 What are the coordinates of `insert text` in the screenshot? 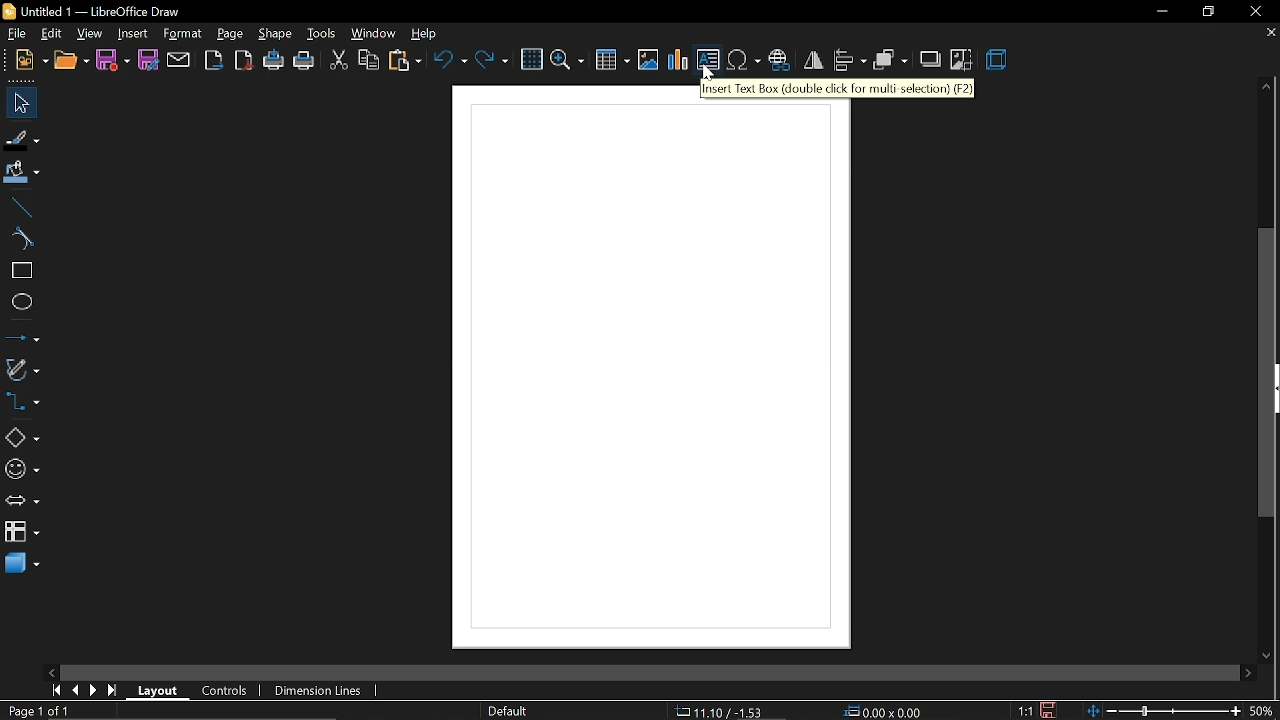 It's located at (708, 62).